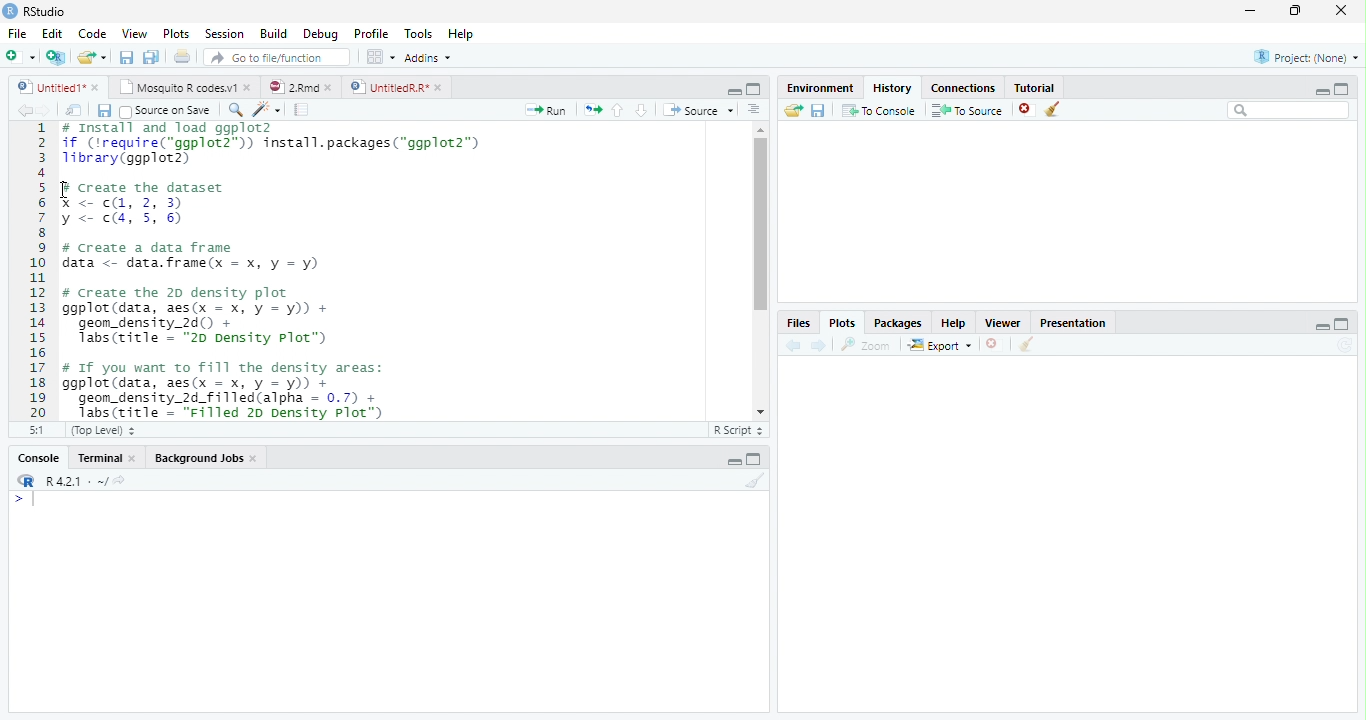 Image resolution: width=1366 pixels, height=720 pixels. I want to click on Debug, so click(321, 35).